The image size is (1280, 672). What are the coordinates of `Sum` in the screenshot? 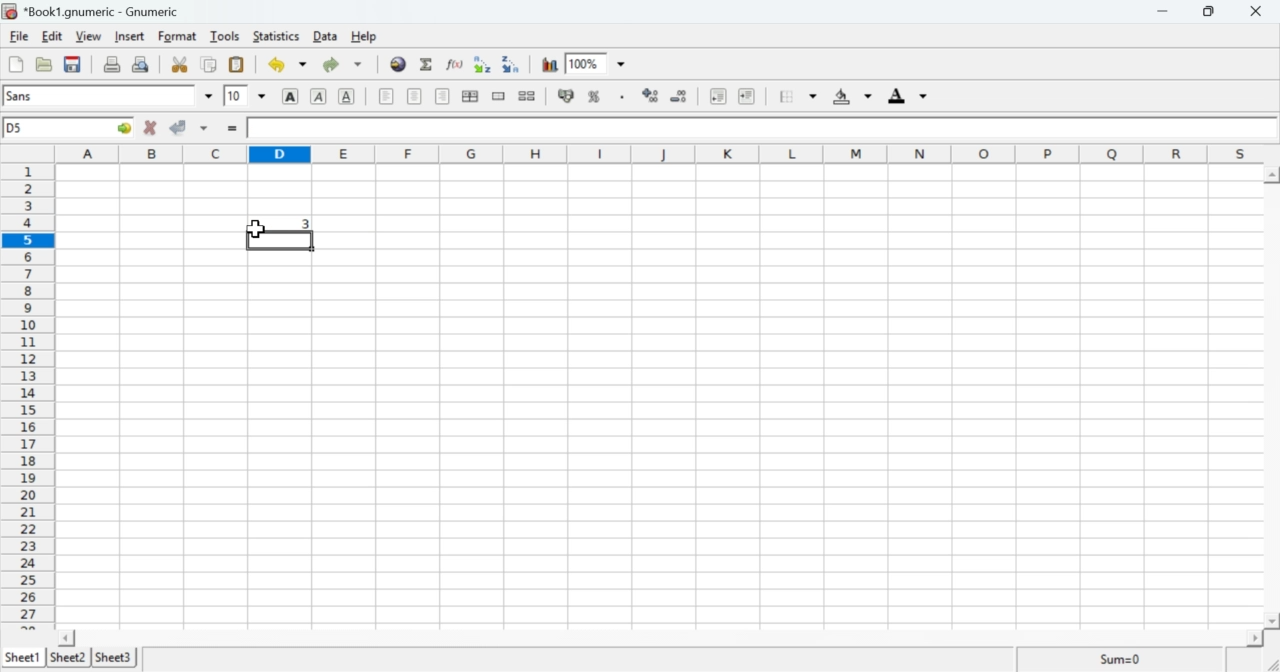 It's located at (428, 65).